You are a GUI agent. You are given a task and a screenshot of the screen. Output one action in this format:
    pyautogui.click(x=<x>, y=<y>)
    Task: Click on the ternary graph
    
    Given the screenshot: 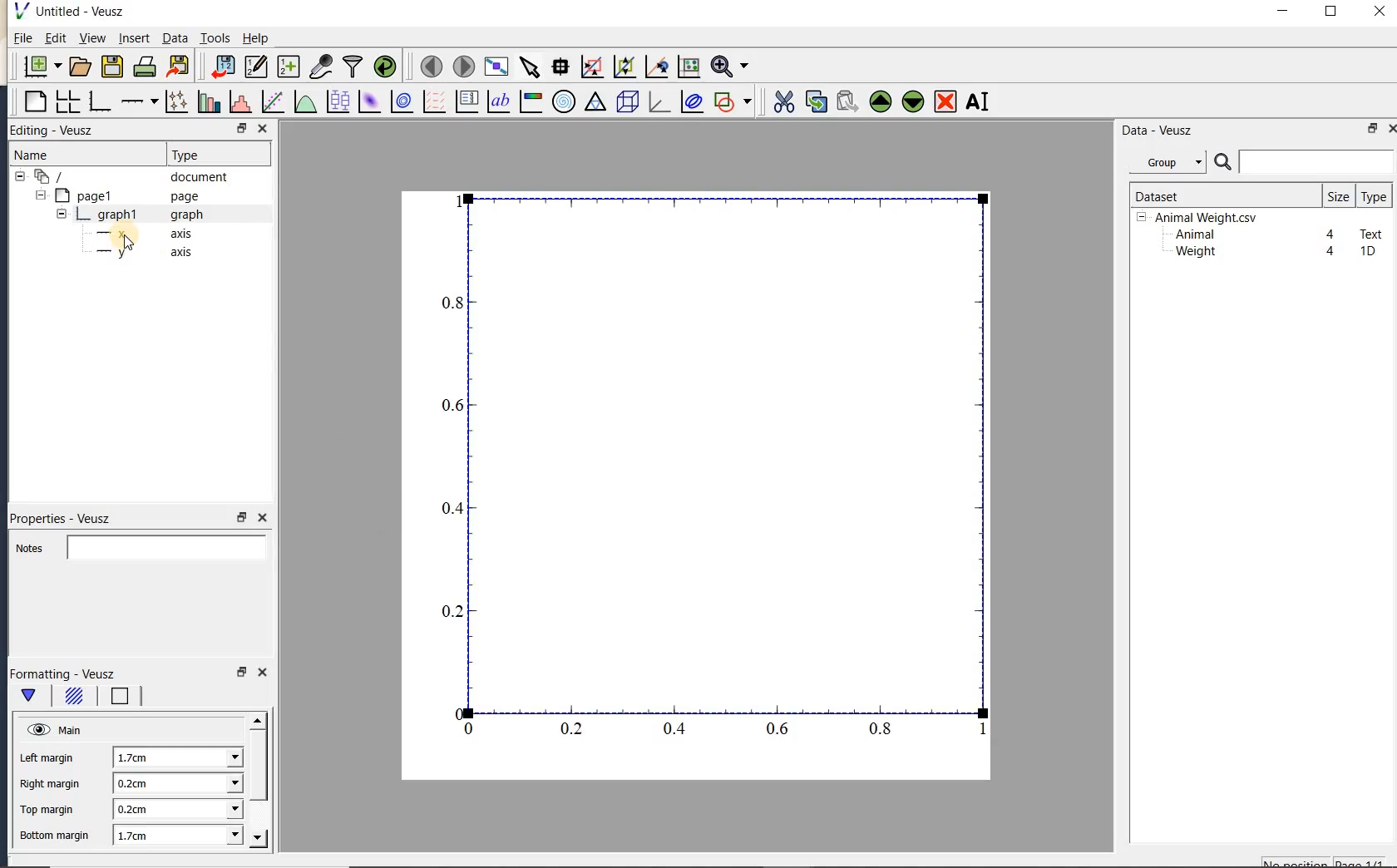 What is the action you would take?
    pyautogui.click(x=595, y=104)
    